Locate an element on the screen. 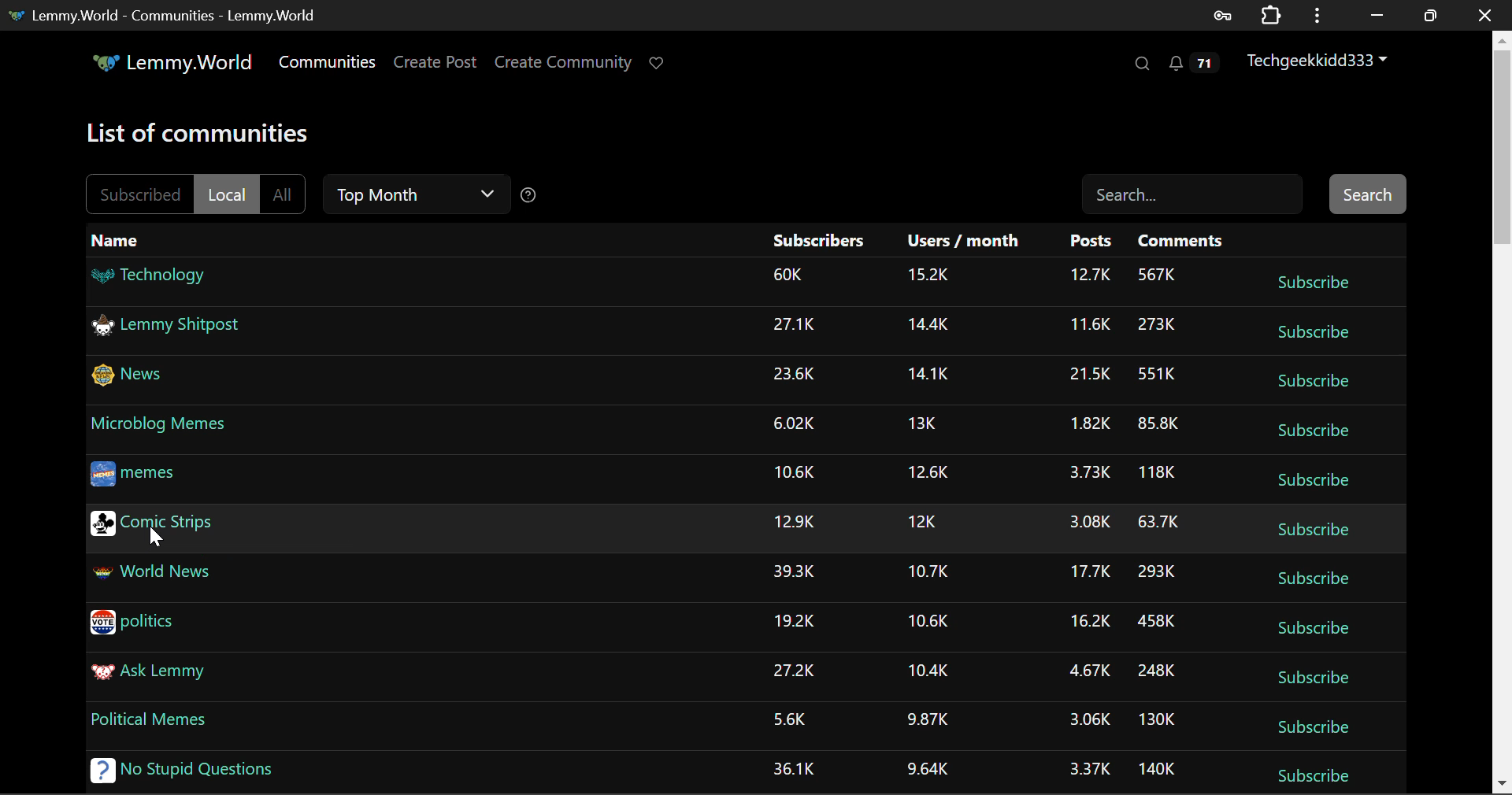 This screenshot has height=795, width=1512. Create Post is located at coordinates (434, 63).